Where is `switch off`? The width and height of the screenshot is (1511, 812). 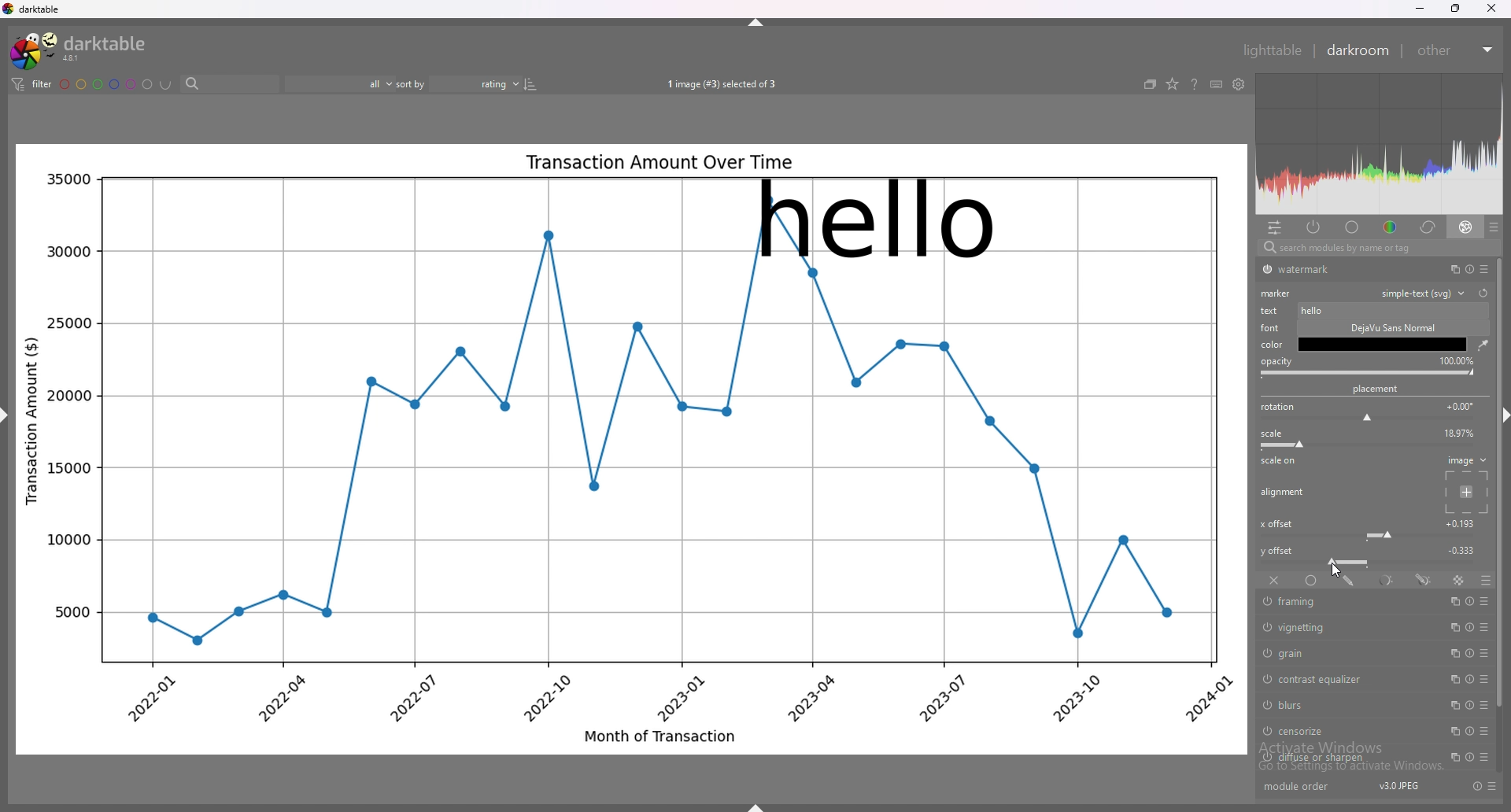 switch off is located at coordinates (1265, 677).